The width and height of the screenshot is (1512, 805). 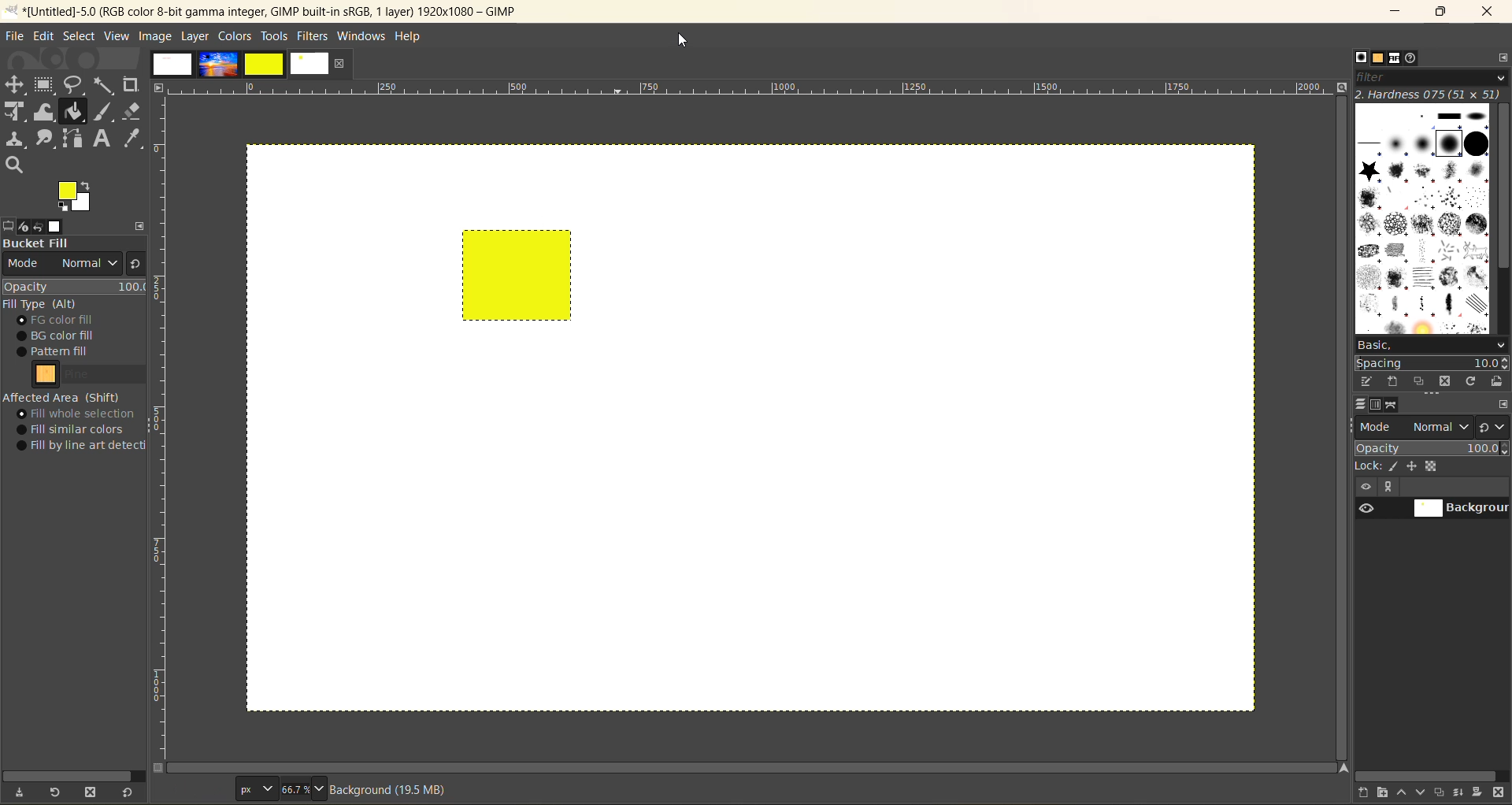 What do you see at coordinates (1365, 793) in the screenshot?
I see `create a new layer` at bounding box center [1365, 793].